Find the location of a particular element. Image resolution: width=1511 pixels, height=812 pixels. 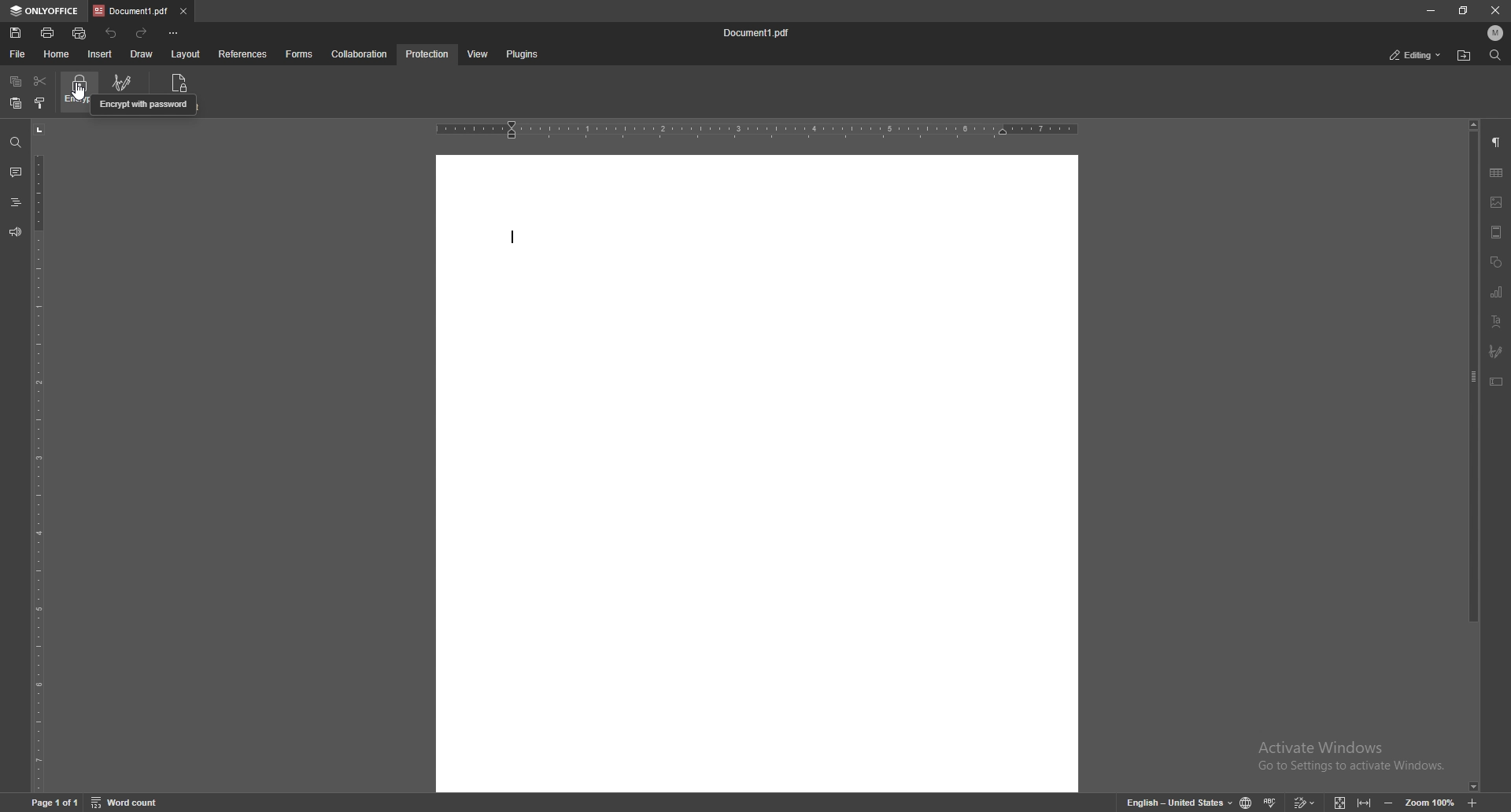

feedback is located at coordinates (14, 233).